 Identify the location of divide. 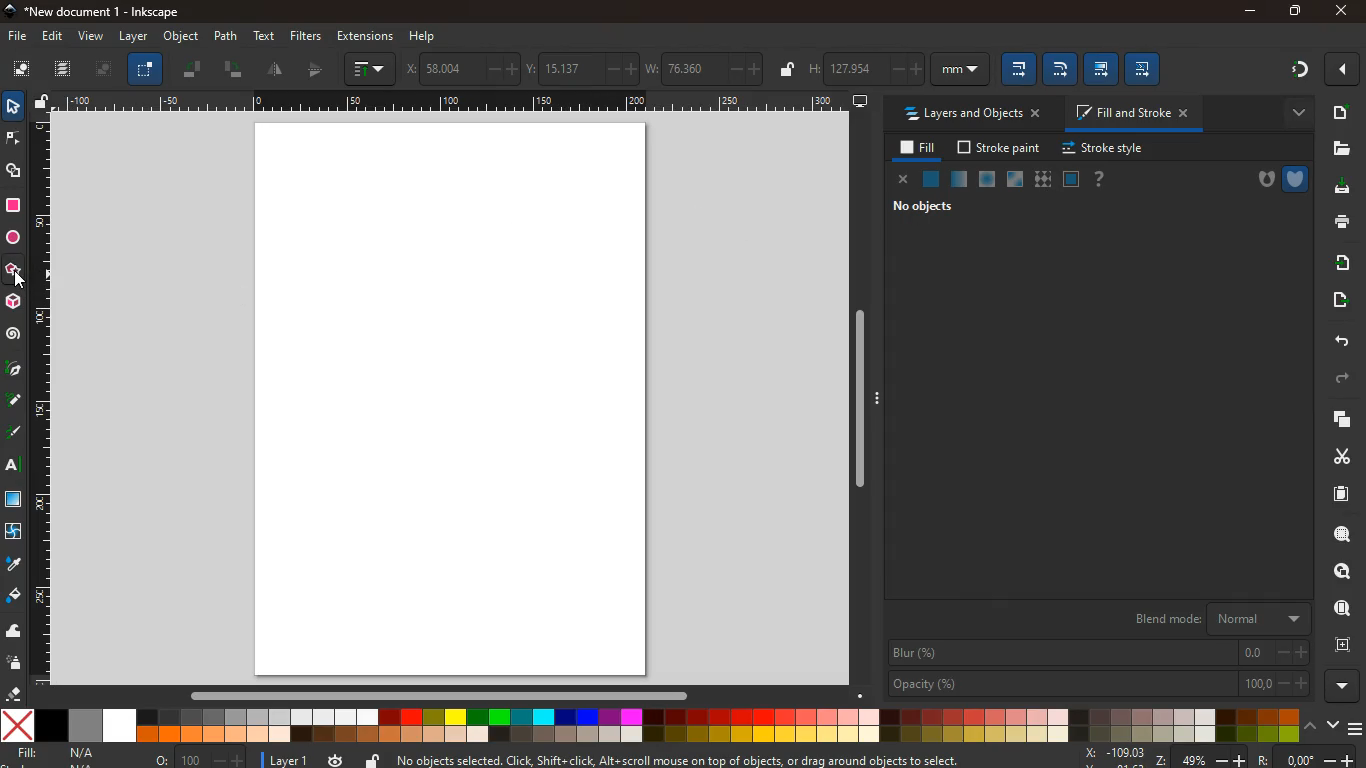
(278, 70).